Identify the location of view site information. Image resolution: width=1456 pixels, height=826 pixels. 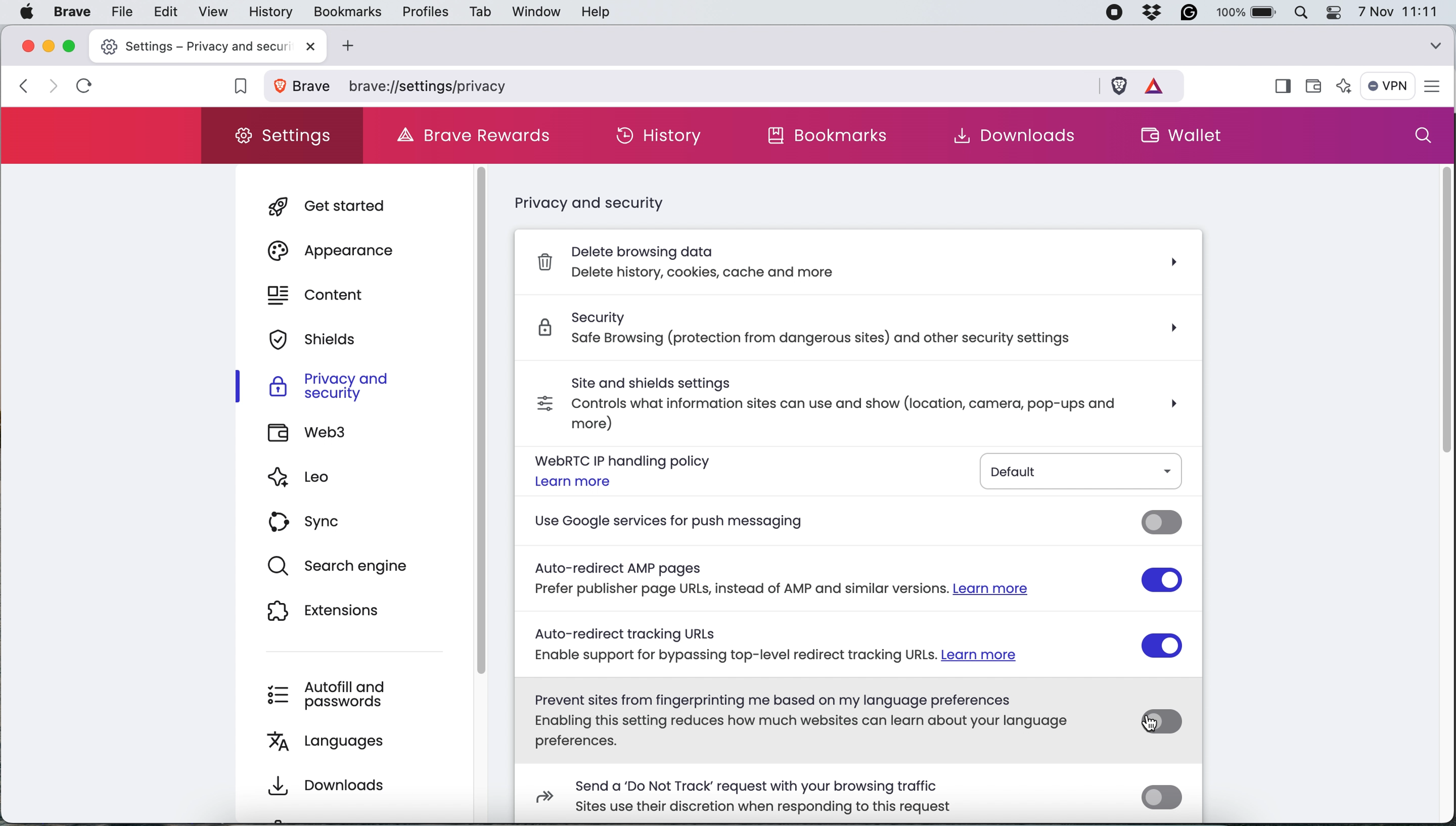
(305, 87).